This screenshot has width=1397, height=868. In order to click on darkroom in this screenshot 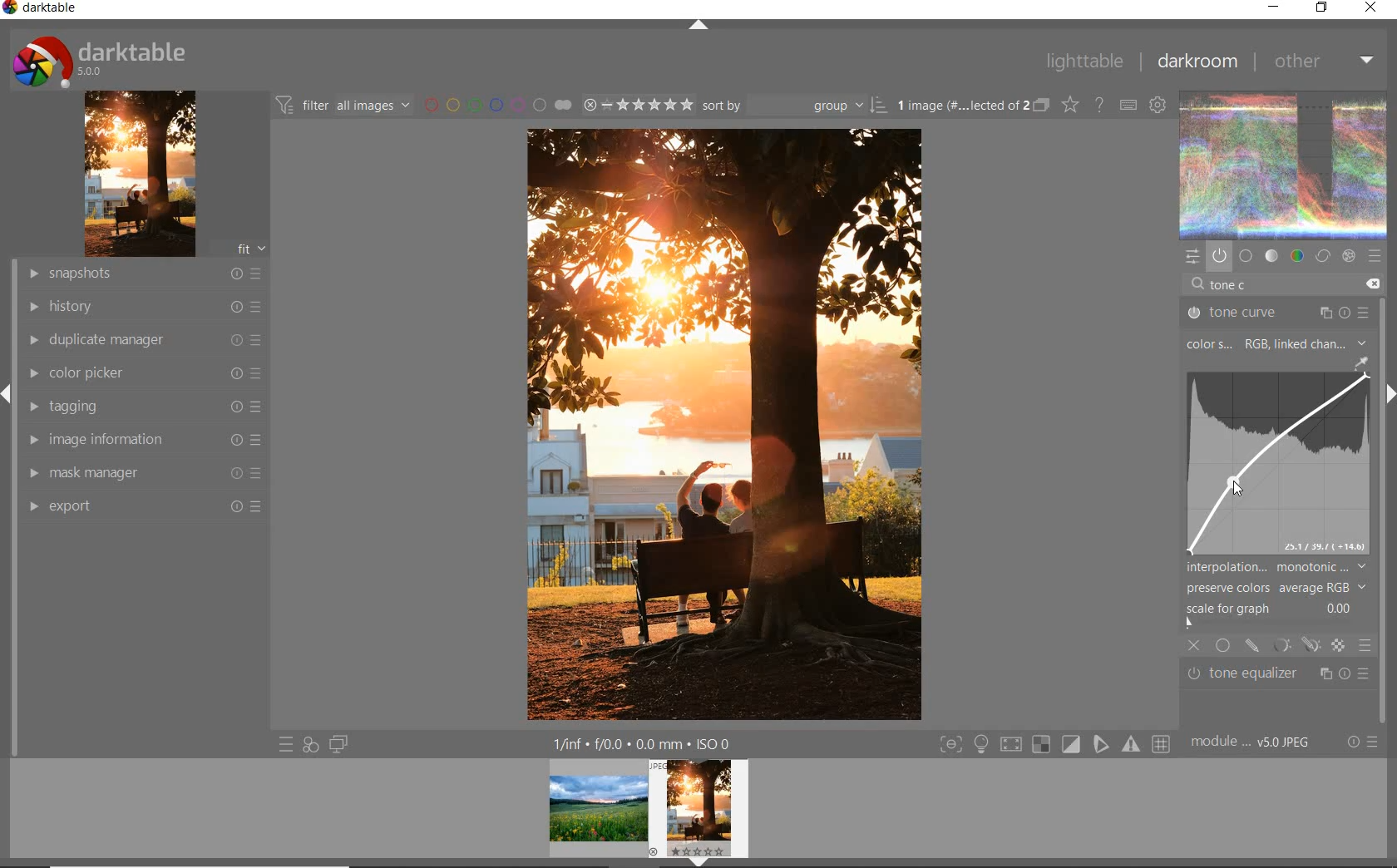, I will do `click(1196, 62)`.